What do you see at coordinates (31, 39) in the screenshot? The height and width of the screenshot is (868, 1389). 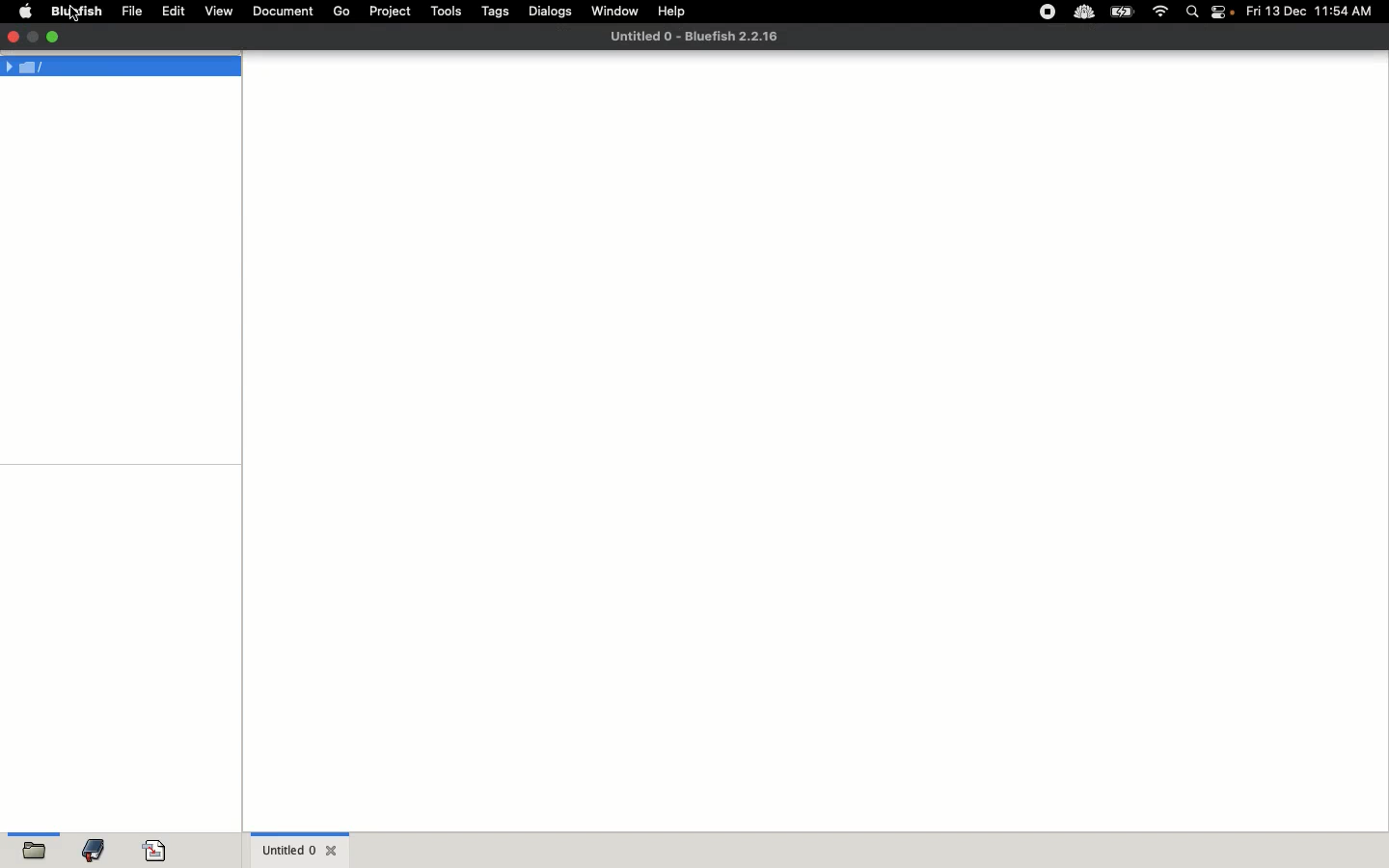 I see `minimize` at bounding box center [31, 39].